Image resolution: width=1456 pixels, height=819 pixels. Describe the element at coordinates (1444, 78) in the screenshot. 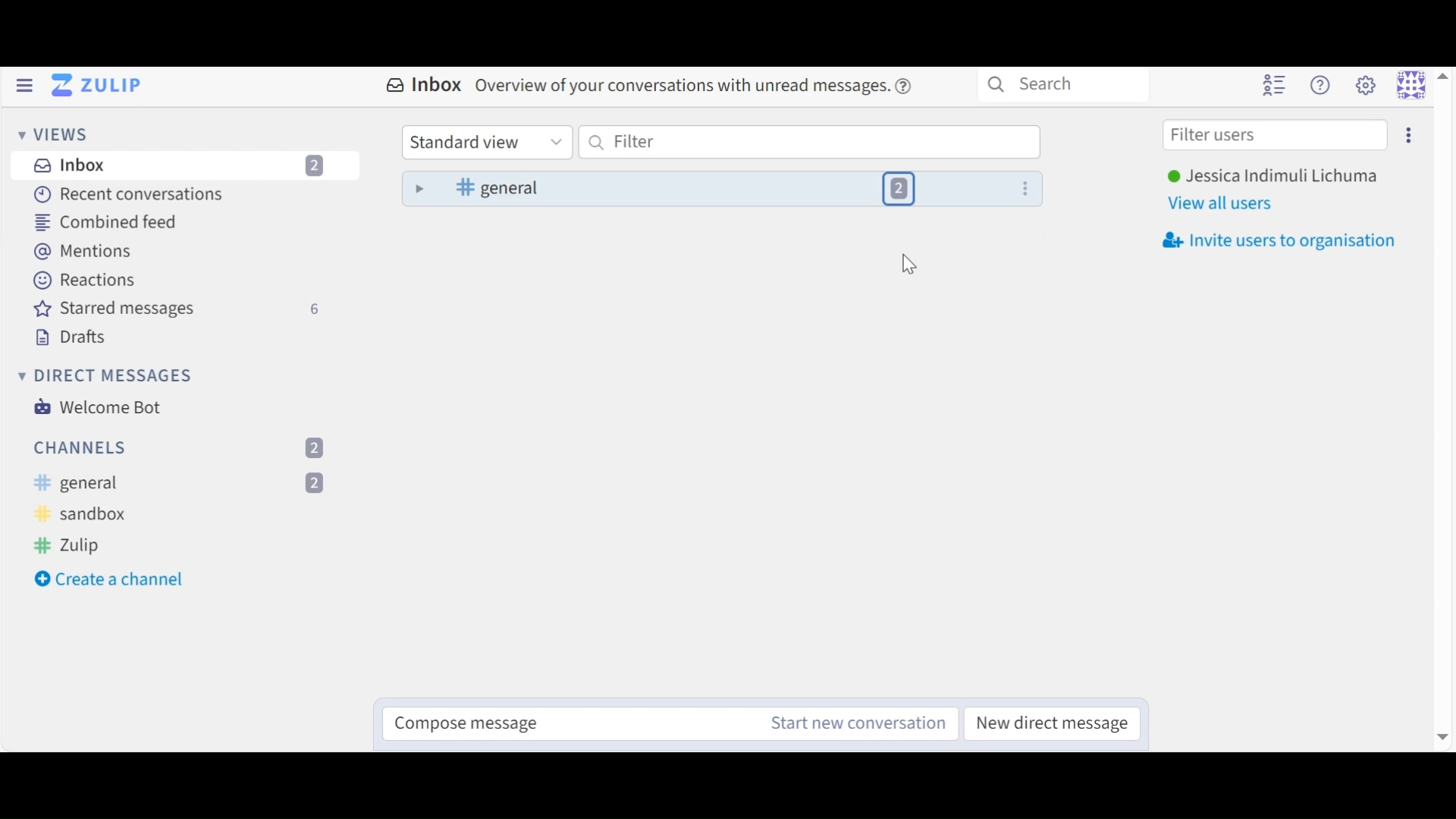

I see `Scroll up` at that location.